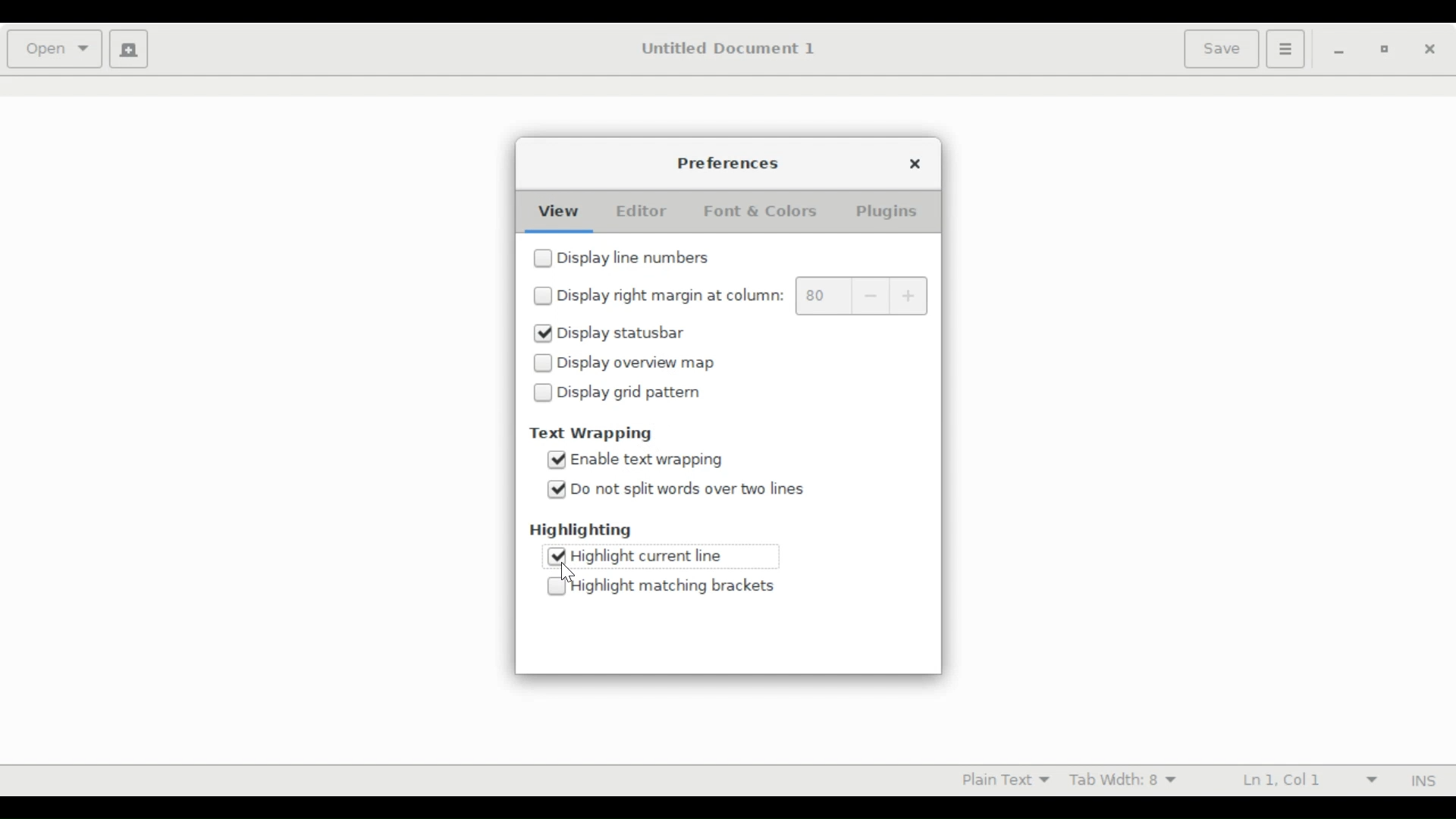 This screenshot has height=819, width=1456. What do you see at coordinates (642, 365) in the screenshot?
I see `Display overview map` at bounding box center [642, 365].